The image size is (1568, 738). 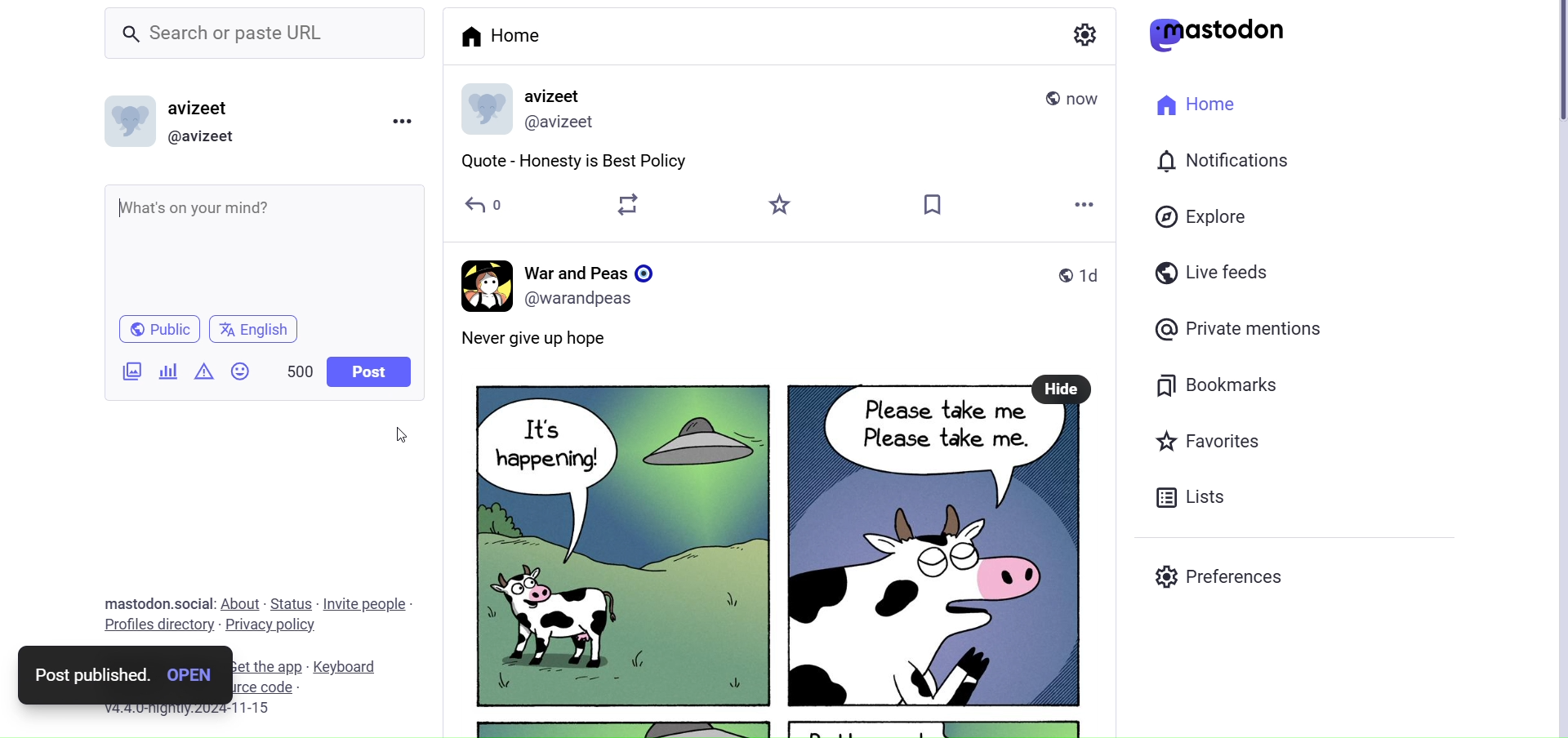 I want to click on Never give up hope, so click(x=559, y=339).